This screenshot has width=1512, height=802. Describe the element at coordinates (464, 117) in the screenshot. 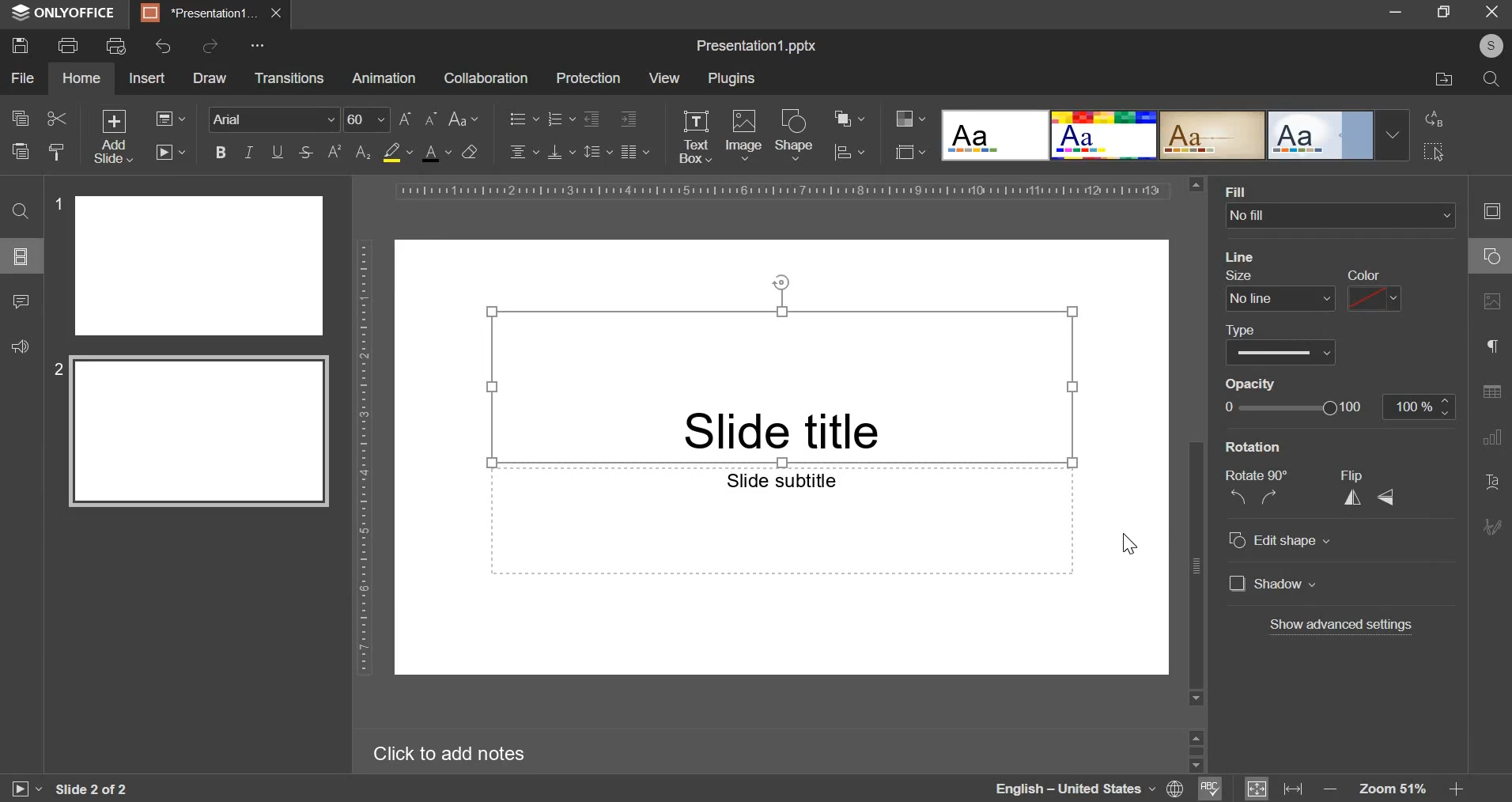

I see `change case` at that location.